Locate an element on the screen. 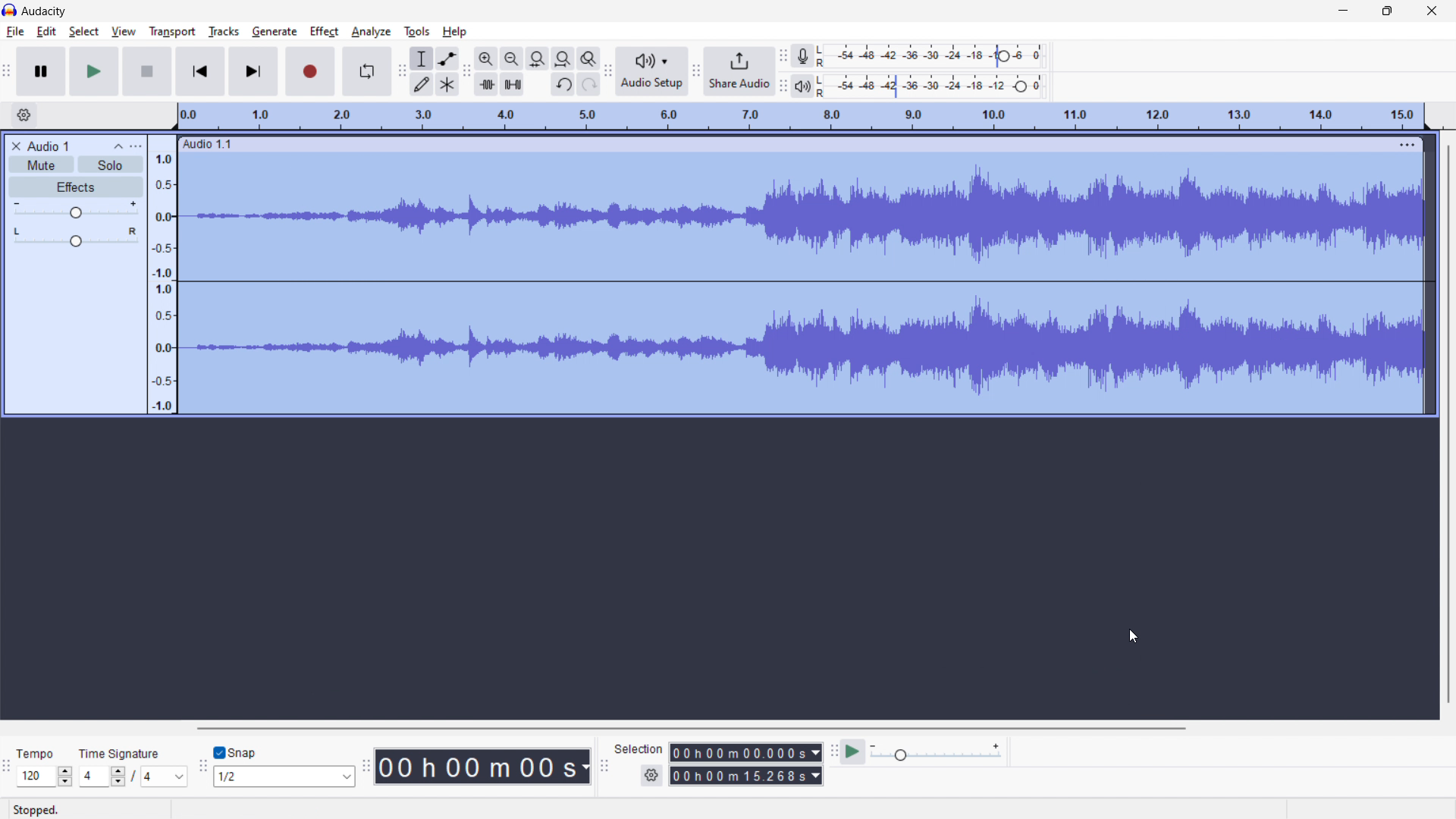 The height and width of the screenshot is (819, 1456). hold to move is located at coordinates (785, 145).